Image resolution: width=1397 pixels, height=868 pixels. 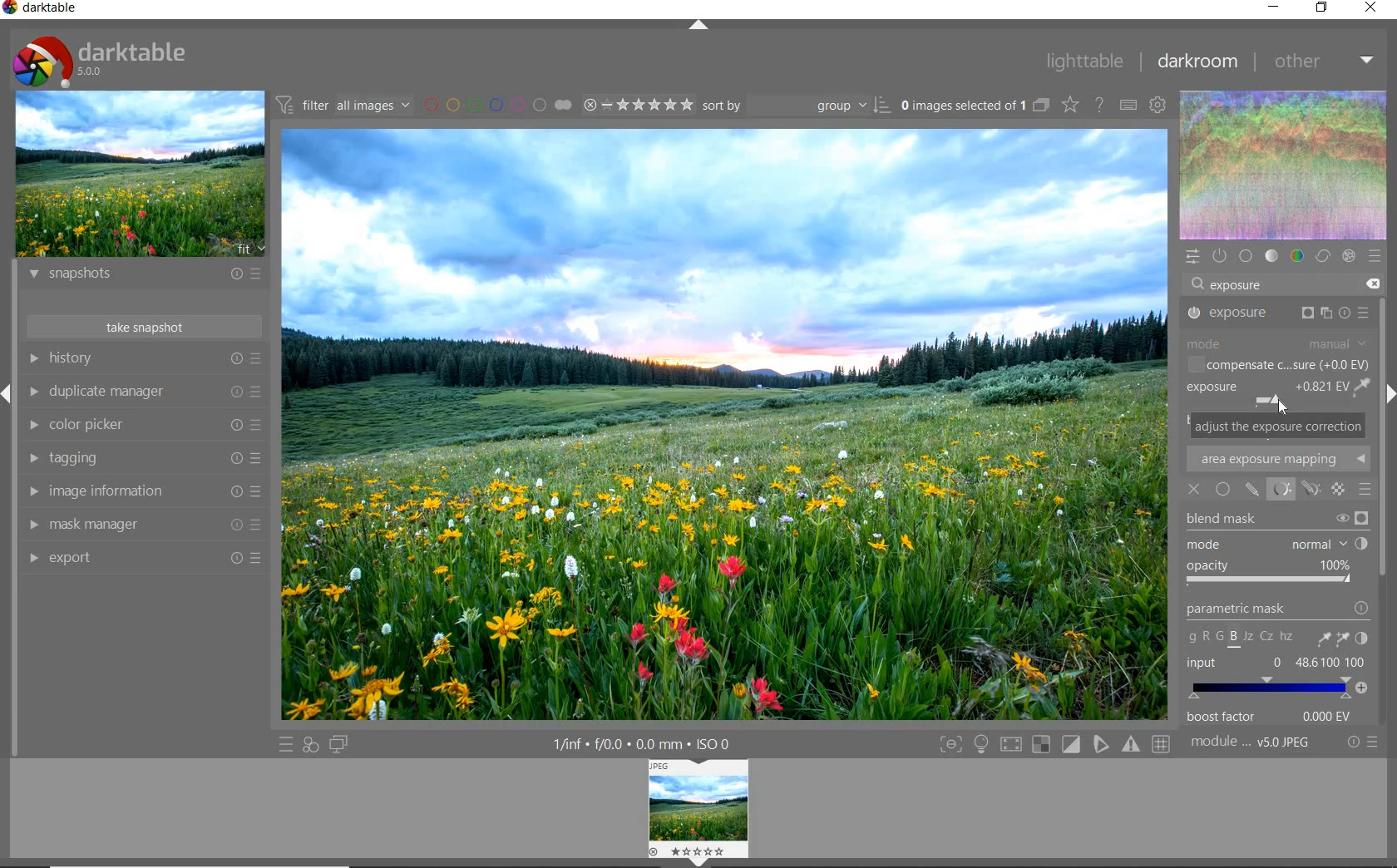 I want to click on correct, so click(x=1323, y=257).